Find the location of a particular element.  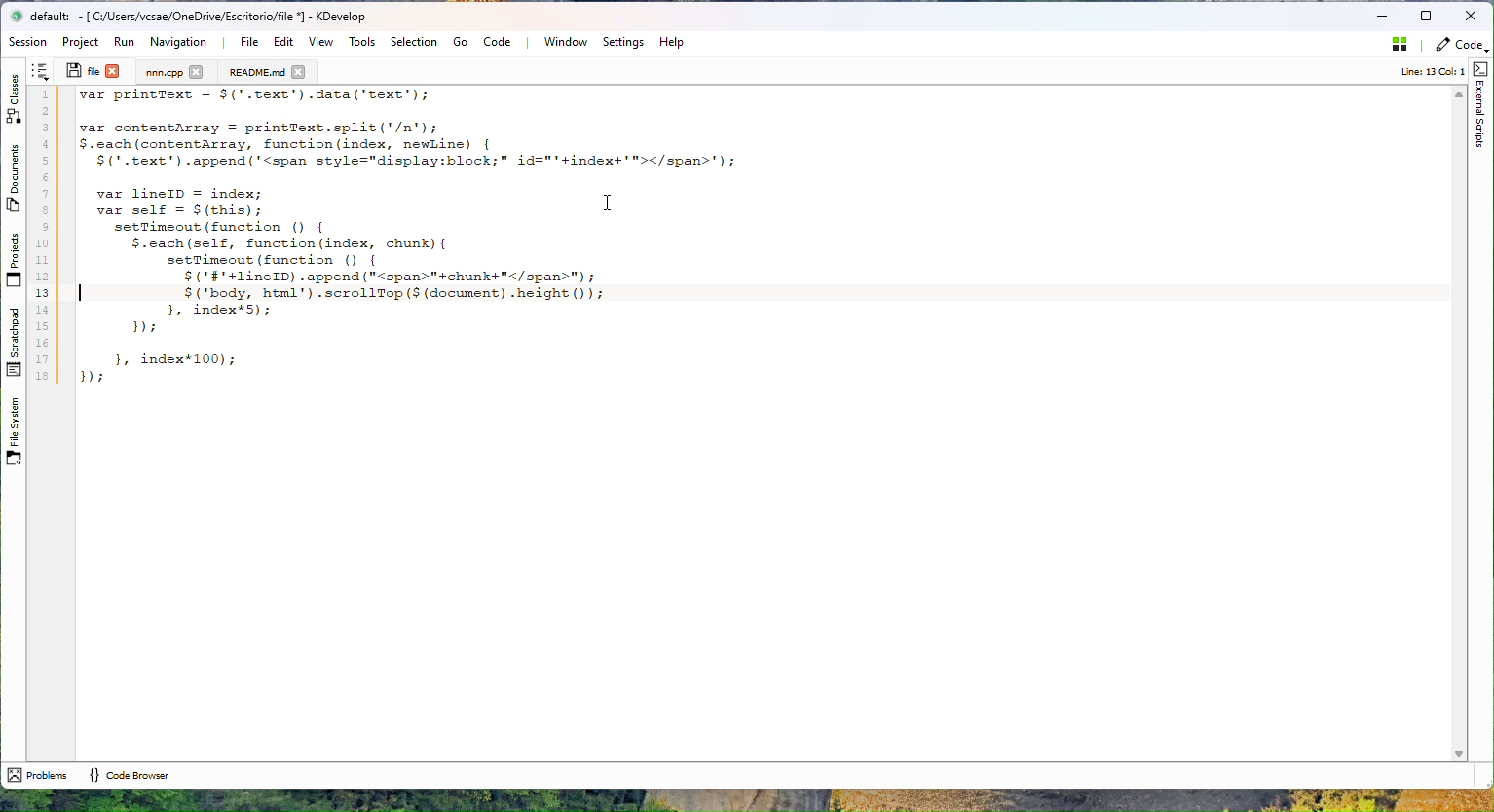

 is located at coordinates (460, 42).